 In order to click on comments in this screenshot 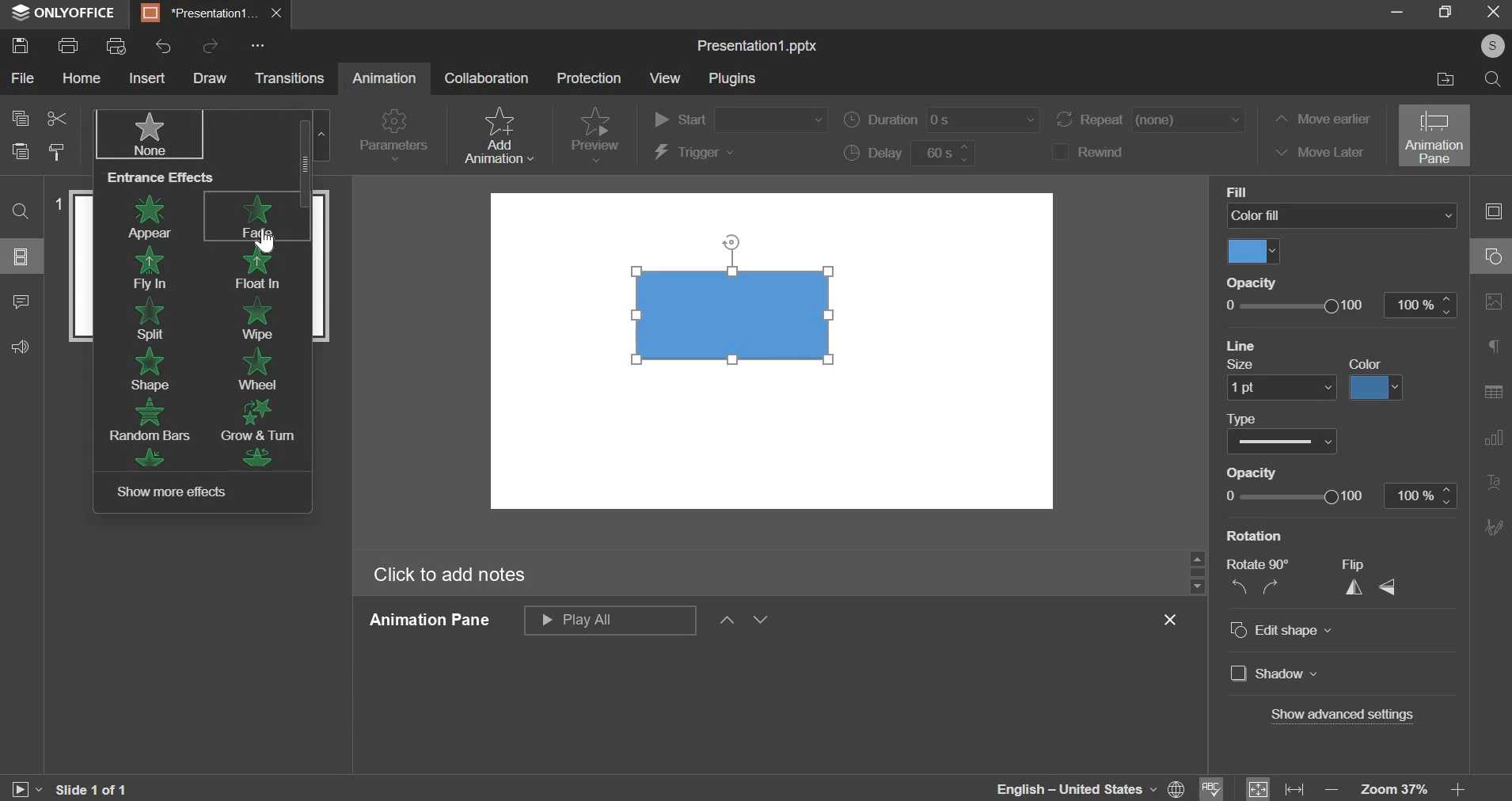, I will do `click(25, 302)`.